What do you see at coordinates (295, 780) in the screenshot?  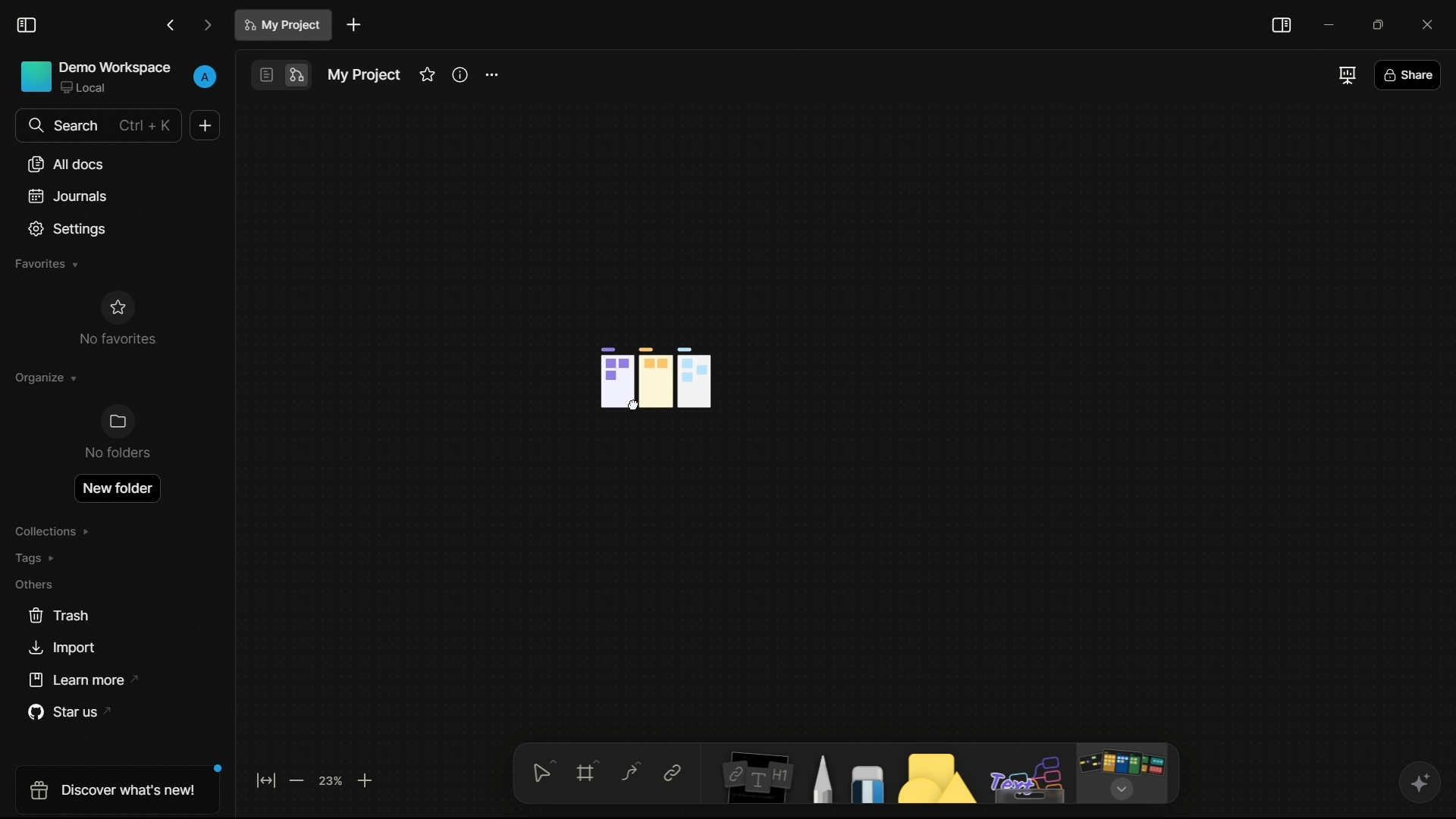 I see `zoom out` at bounding box center [295, 780].